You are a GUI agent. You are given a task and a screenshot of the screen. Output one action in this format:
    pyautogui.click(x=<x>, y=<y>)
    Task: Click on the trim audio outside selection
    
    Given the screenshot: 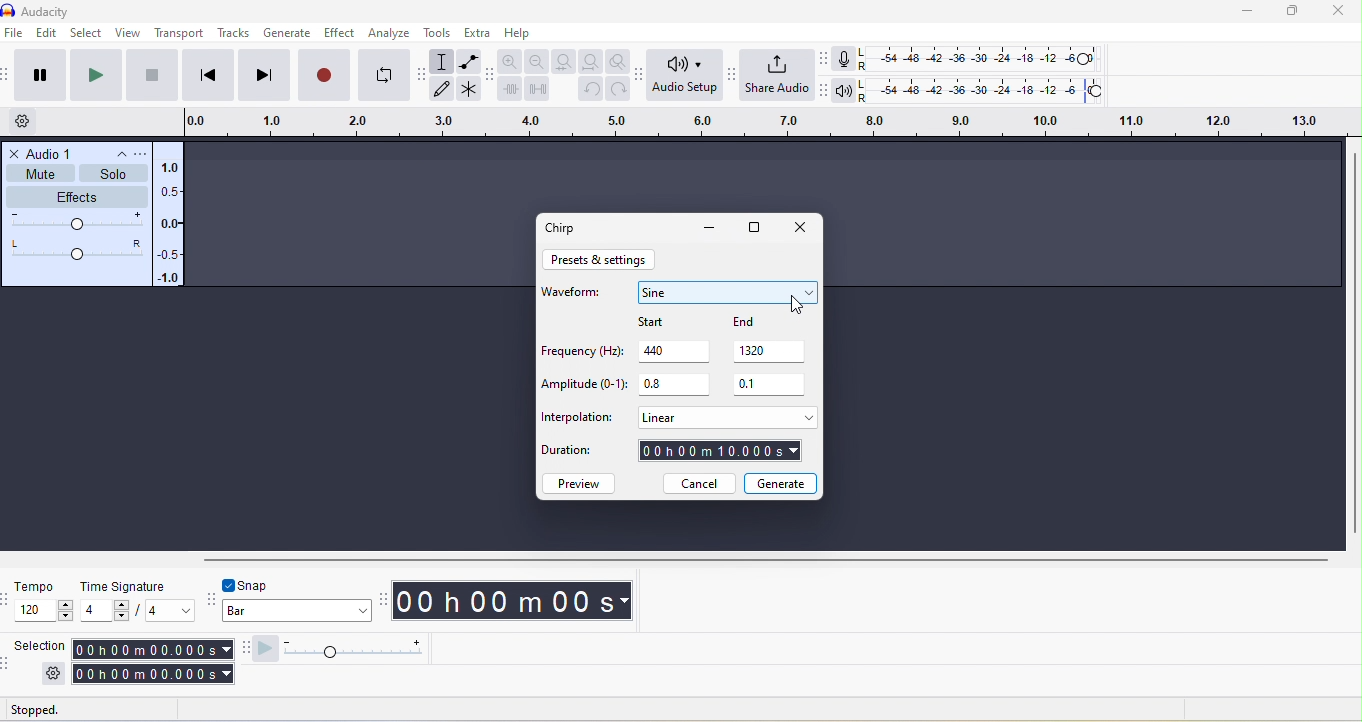 What is the action you would take?
    pyautogui.click(x=510, y=88)
    